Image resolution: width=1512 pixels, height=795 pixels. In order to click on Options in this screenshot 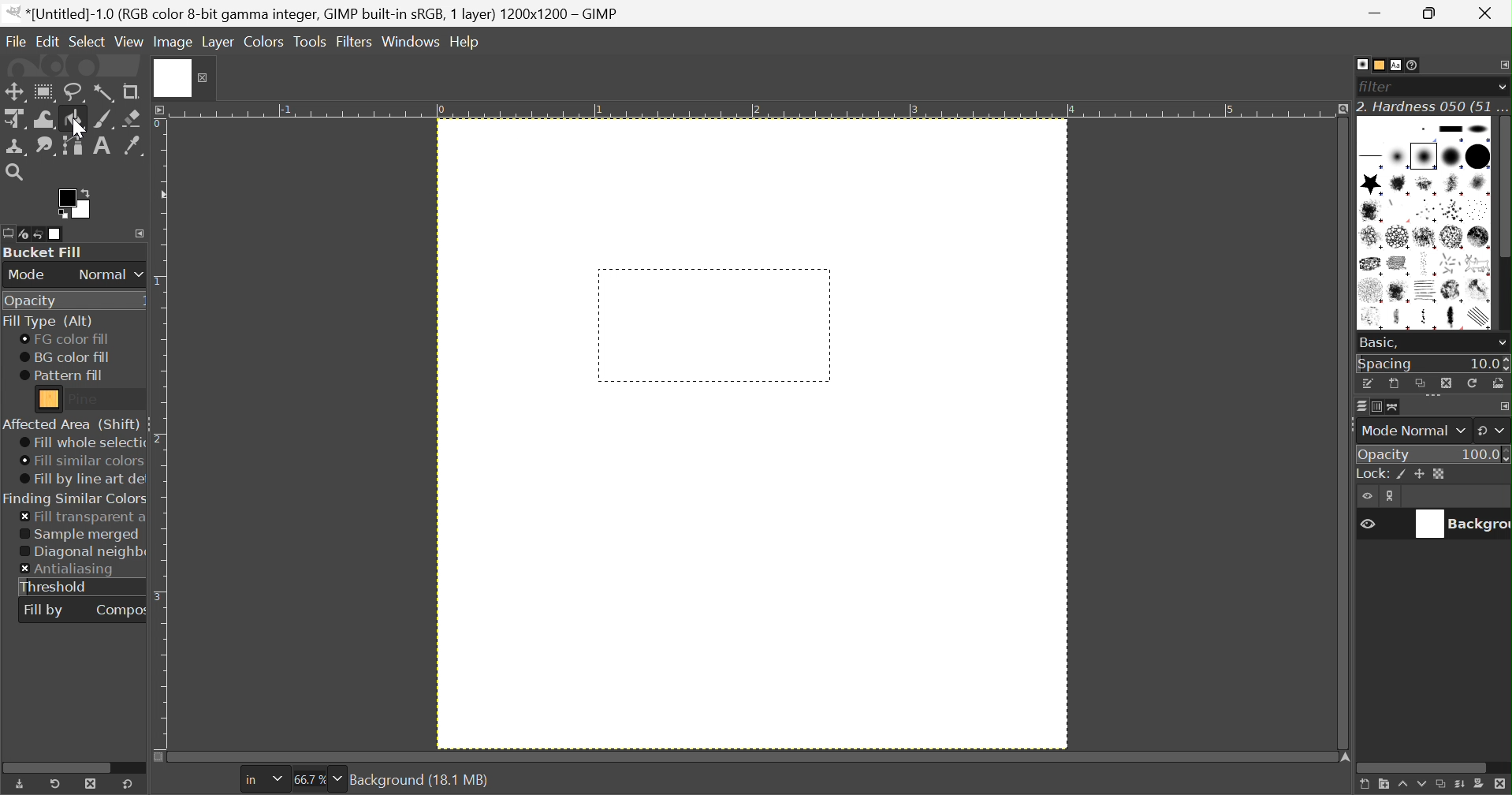, I will do `click(1501, 345)`.